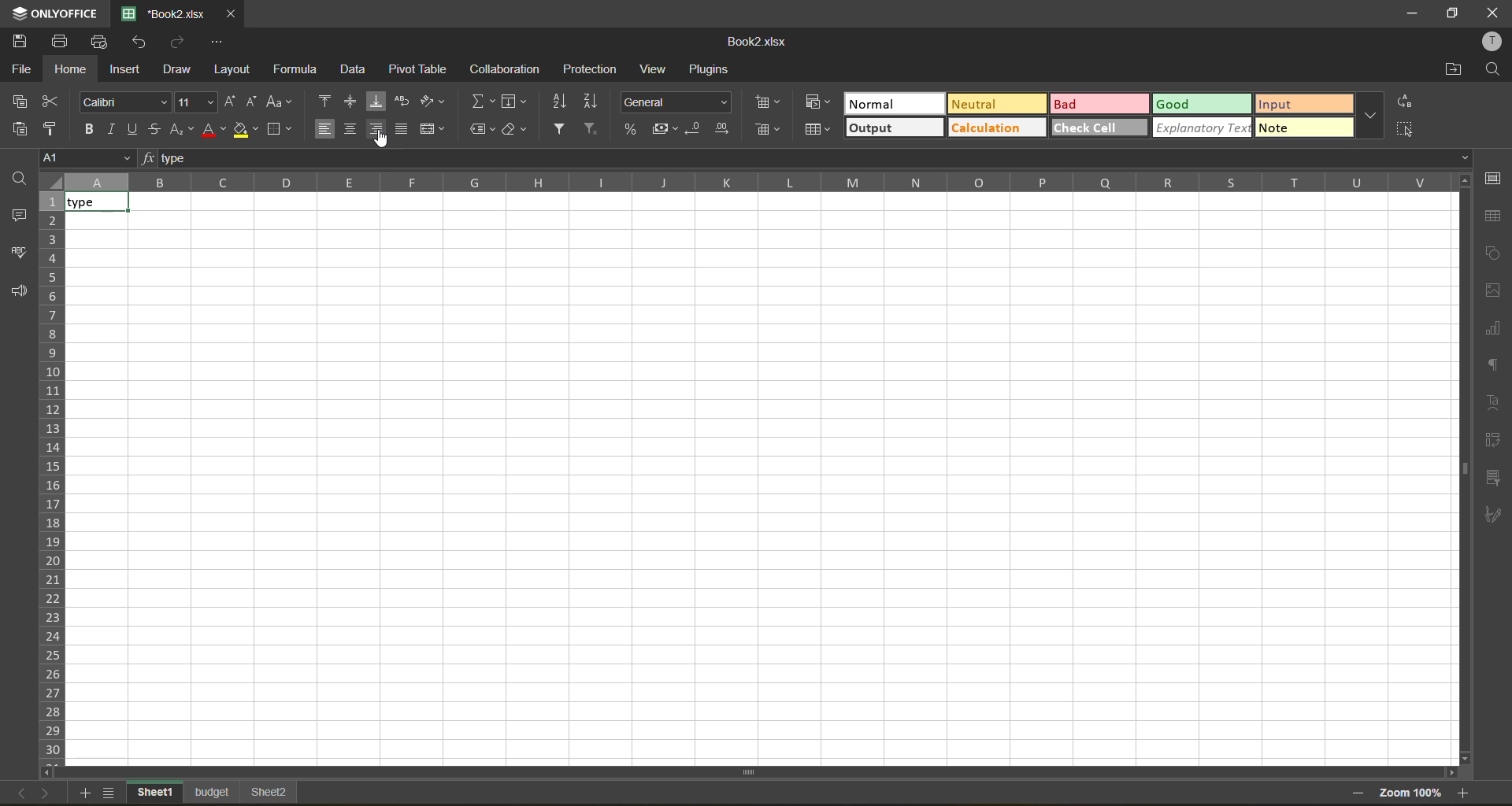 The width and height of the screenshot is (1512, 806). I want to click on print, so click(65, 39).